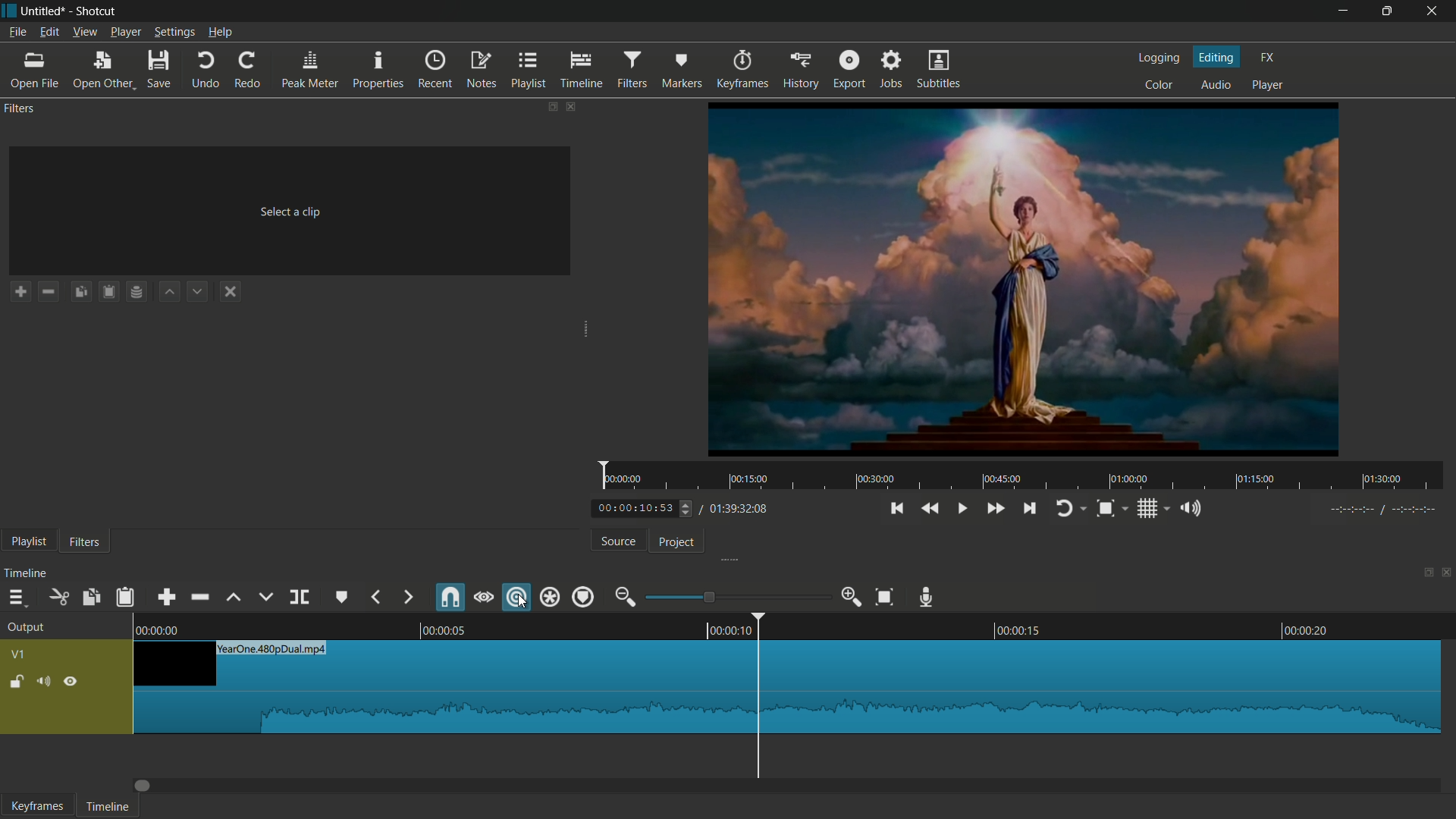  I want to click on keyframes, so click(35, 805).